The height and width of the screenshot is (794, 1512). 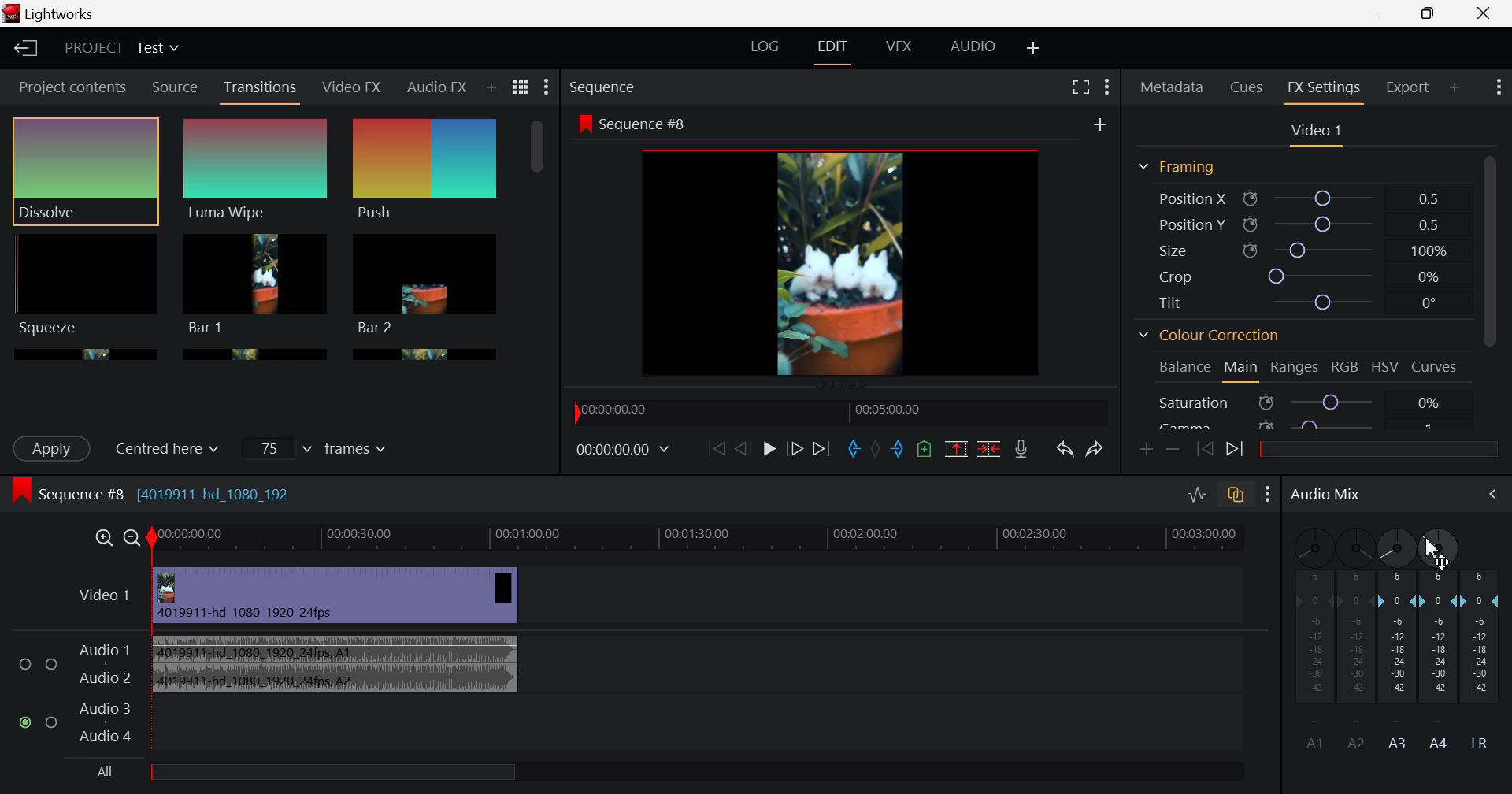 What do you see at coordinates (741, 450) in the screenshot?
I see `Go Back` at bounding box center [741, 450].